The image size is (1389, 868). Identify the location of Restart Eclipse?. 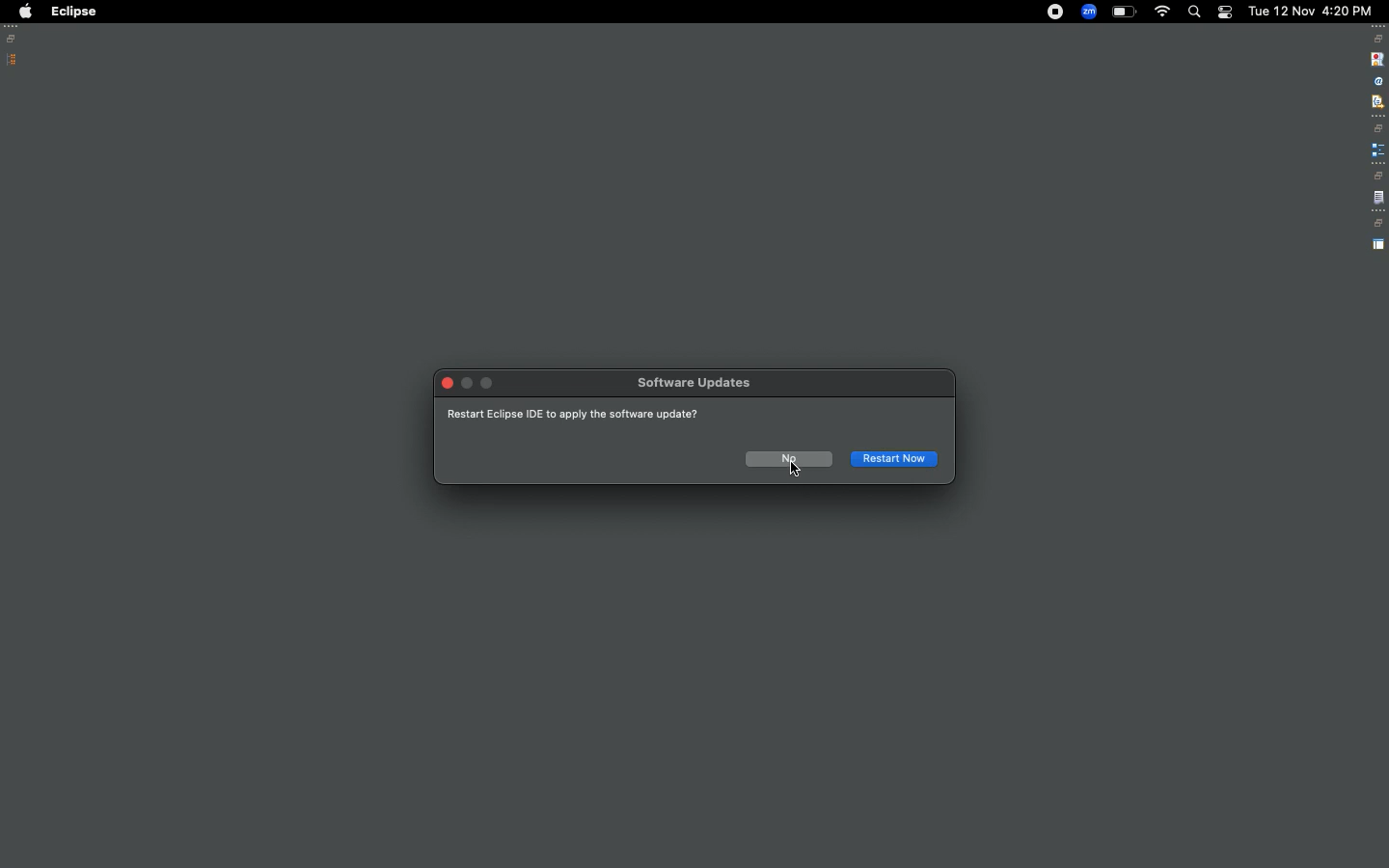
(589, 416).